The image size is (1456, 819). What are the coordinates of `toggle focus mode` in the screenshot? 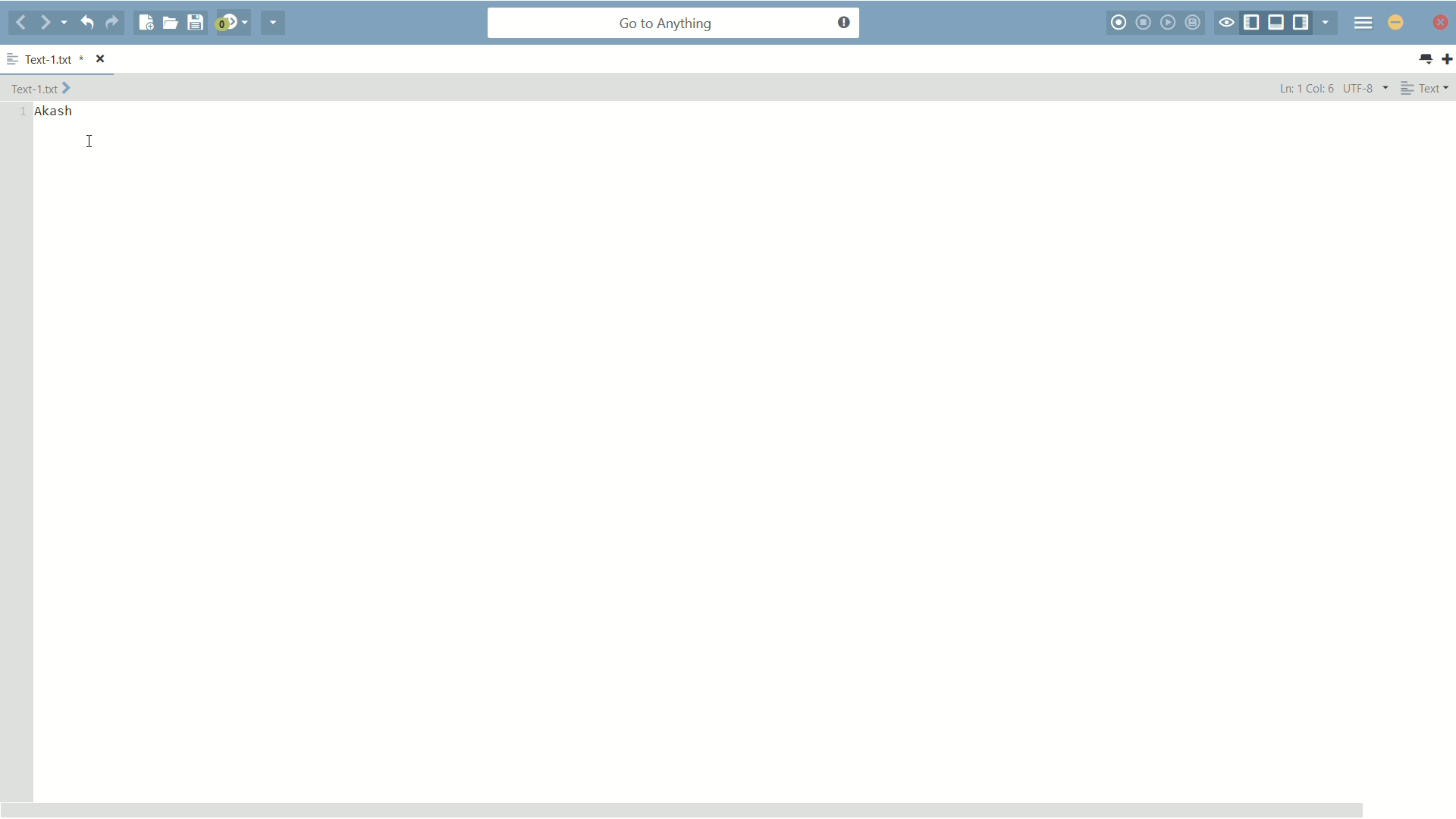 It's located at (1225, 23).